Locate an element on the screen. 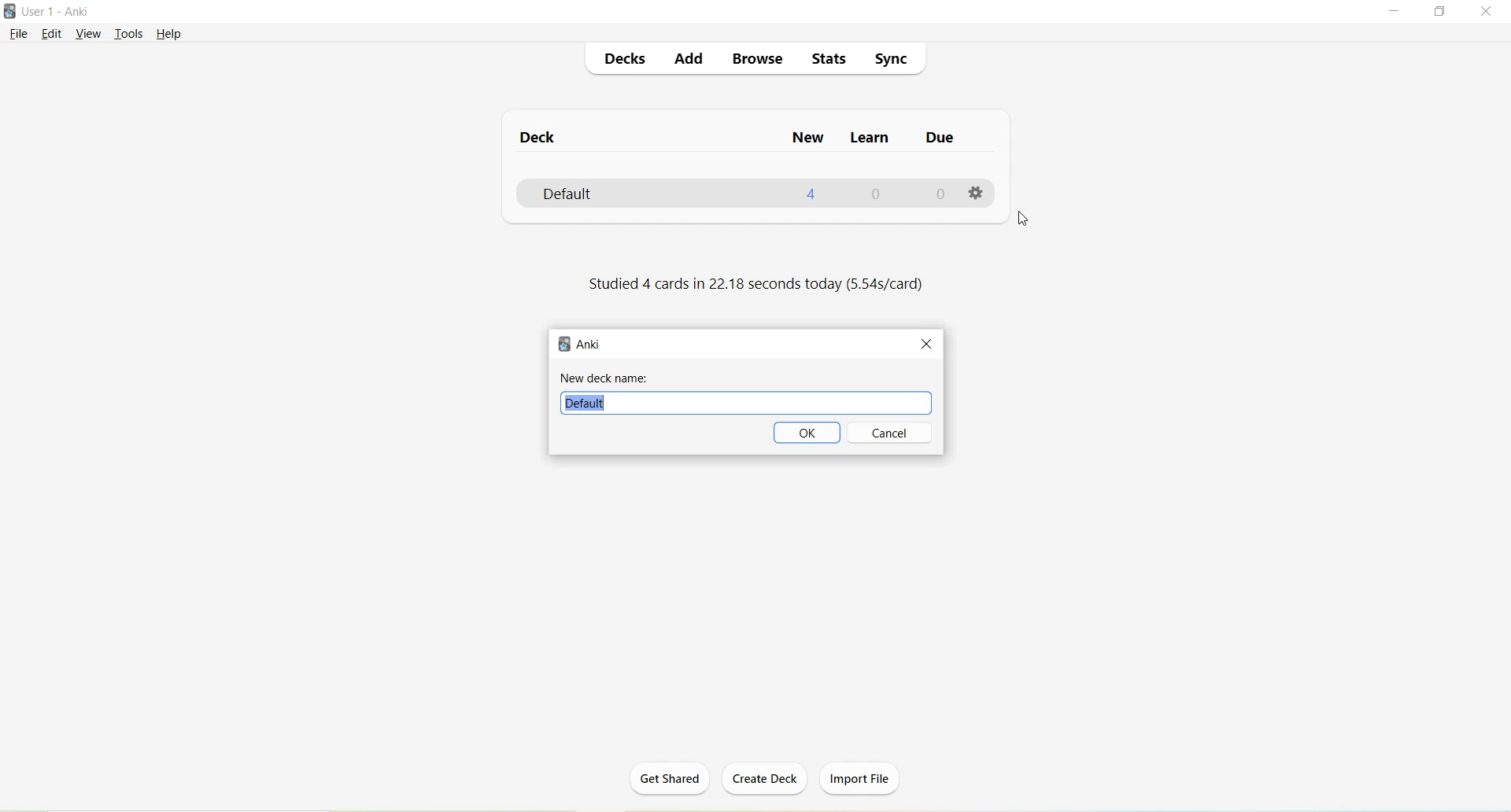 The image size is (1511, 812). Due is located at coordinates (937, 140).